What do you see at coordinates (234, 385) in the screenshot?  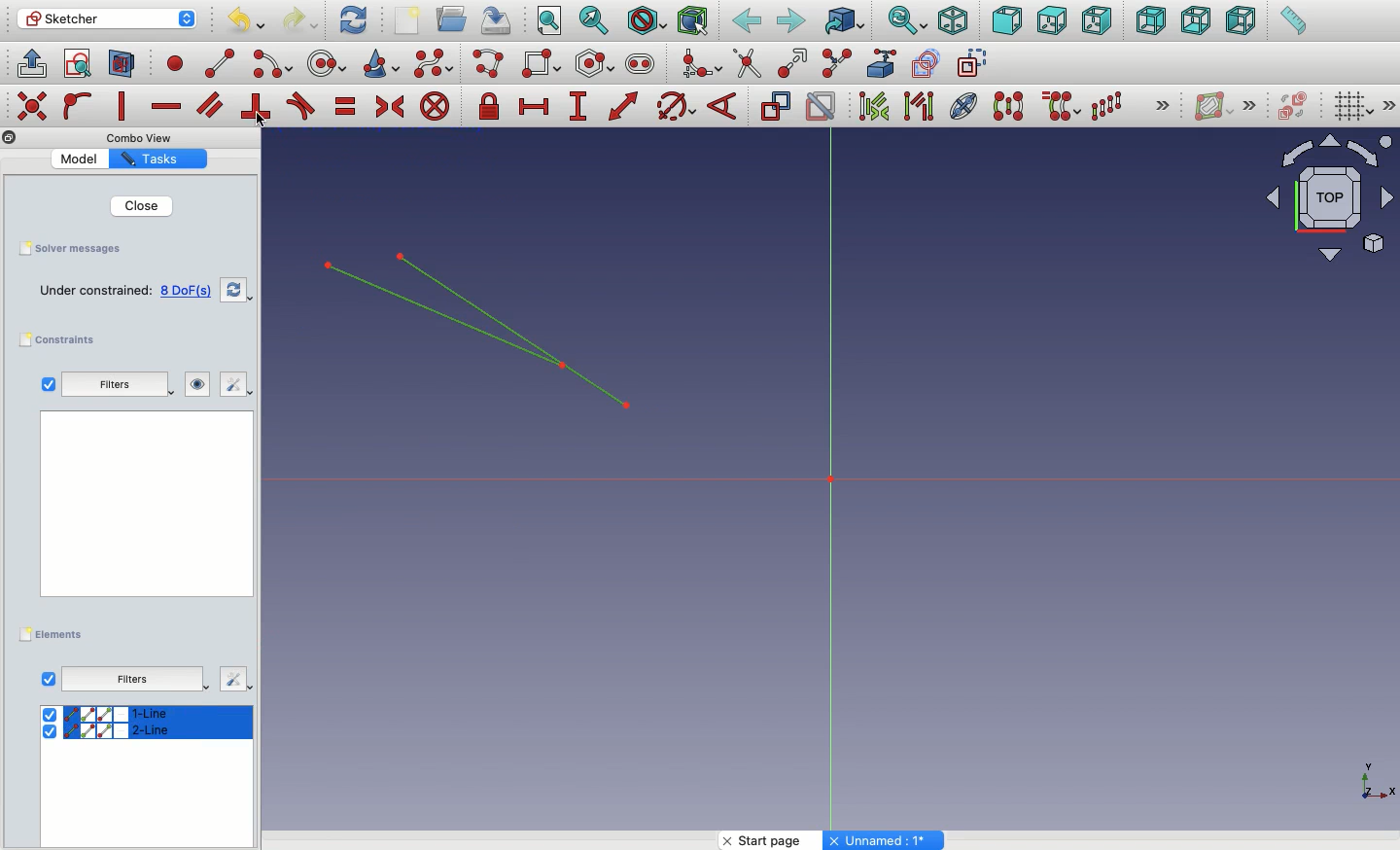 I see `Edit` at bounding box center [234, 385].